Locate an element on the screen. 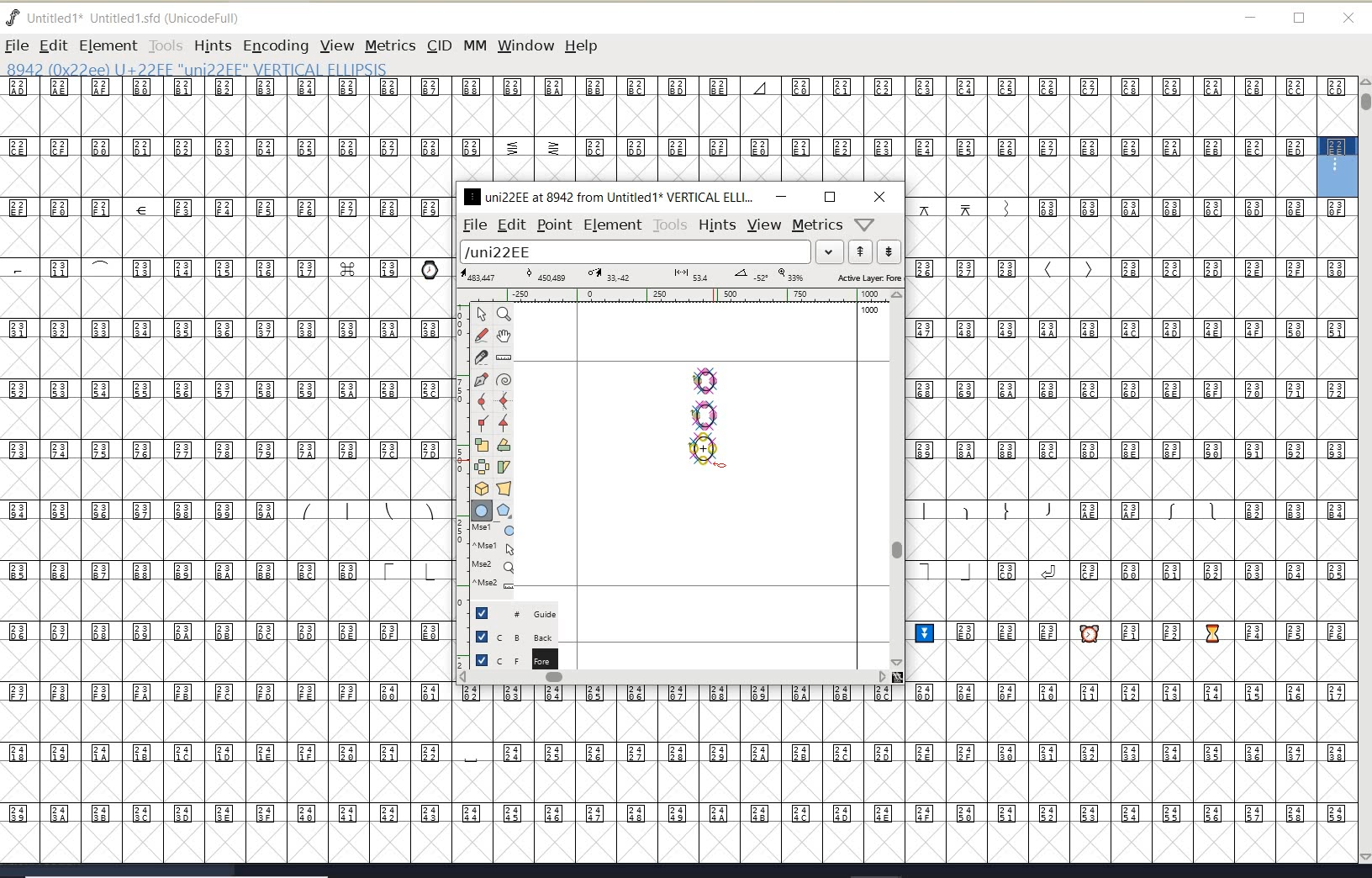  8942 (0x22ee) U+22EE "uni22EE" VERTICAL EllIPSIS is located at coordinates (252, 68).